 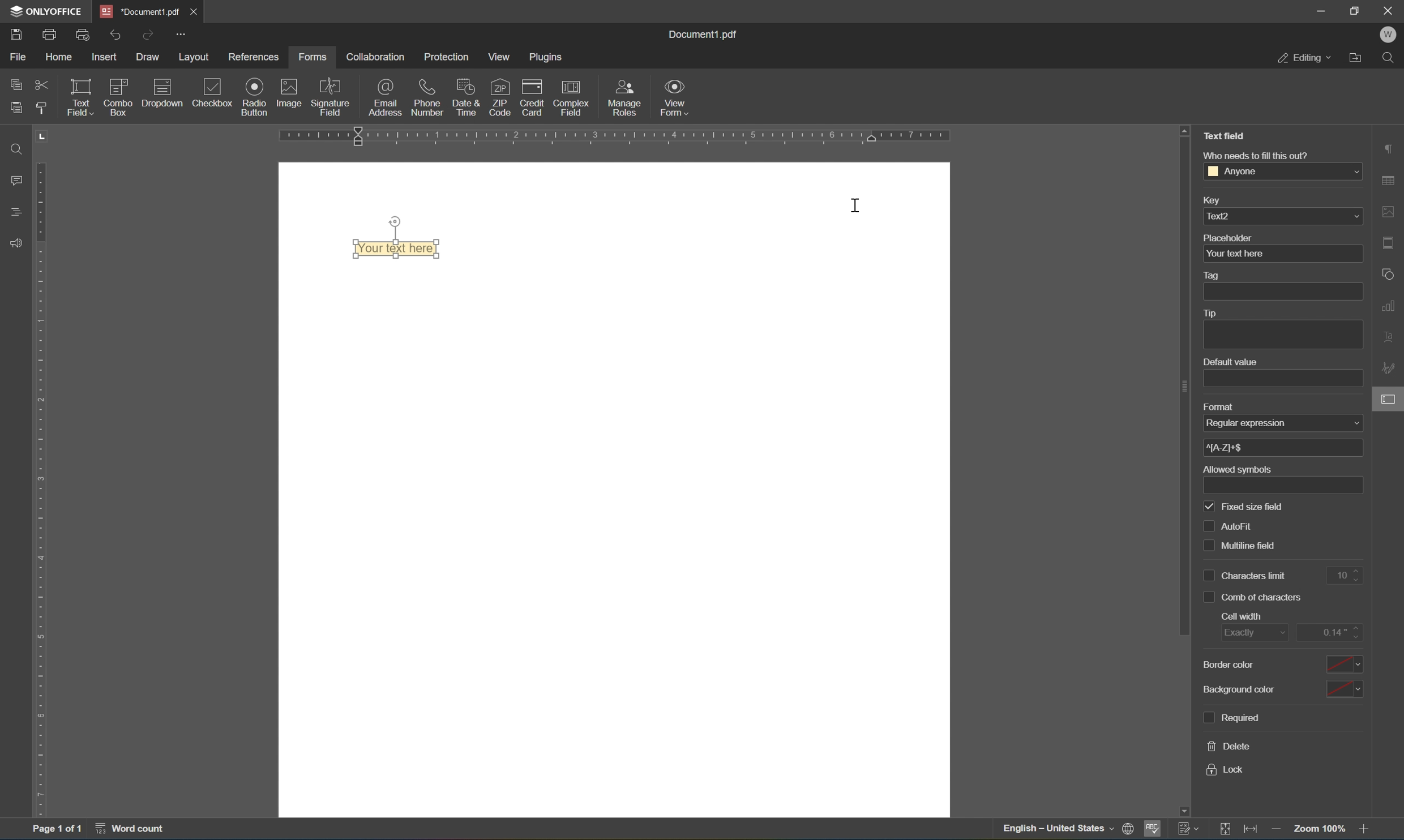 What do you see at coordinates (1390, 58) in the screenshot?
I see `find` at bounding box center [1390, 58].